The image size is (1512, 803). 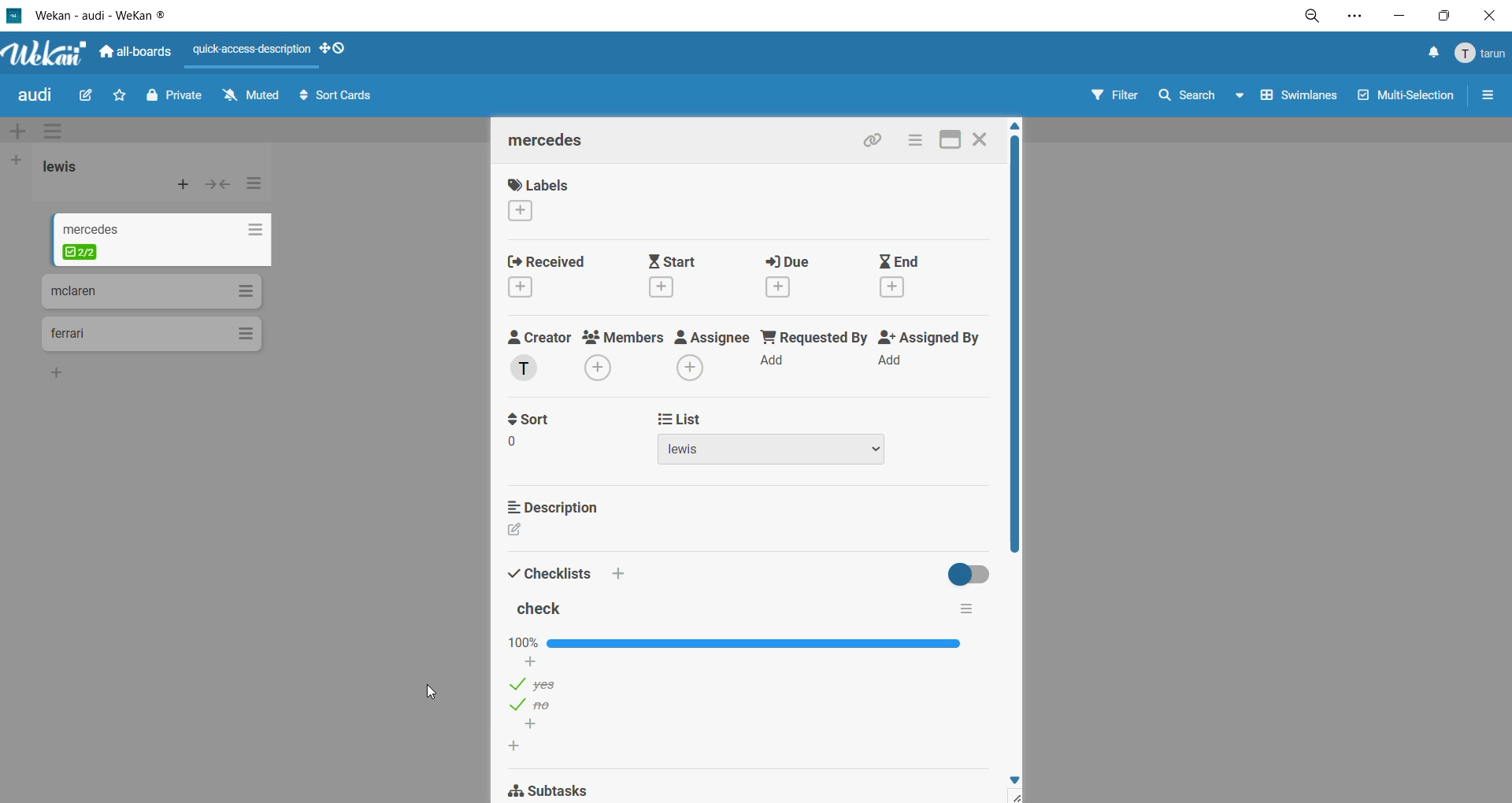 I want to click on add card, so click(x=184, y=185).